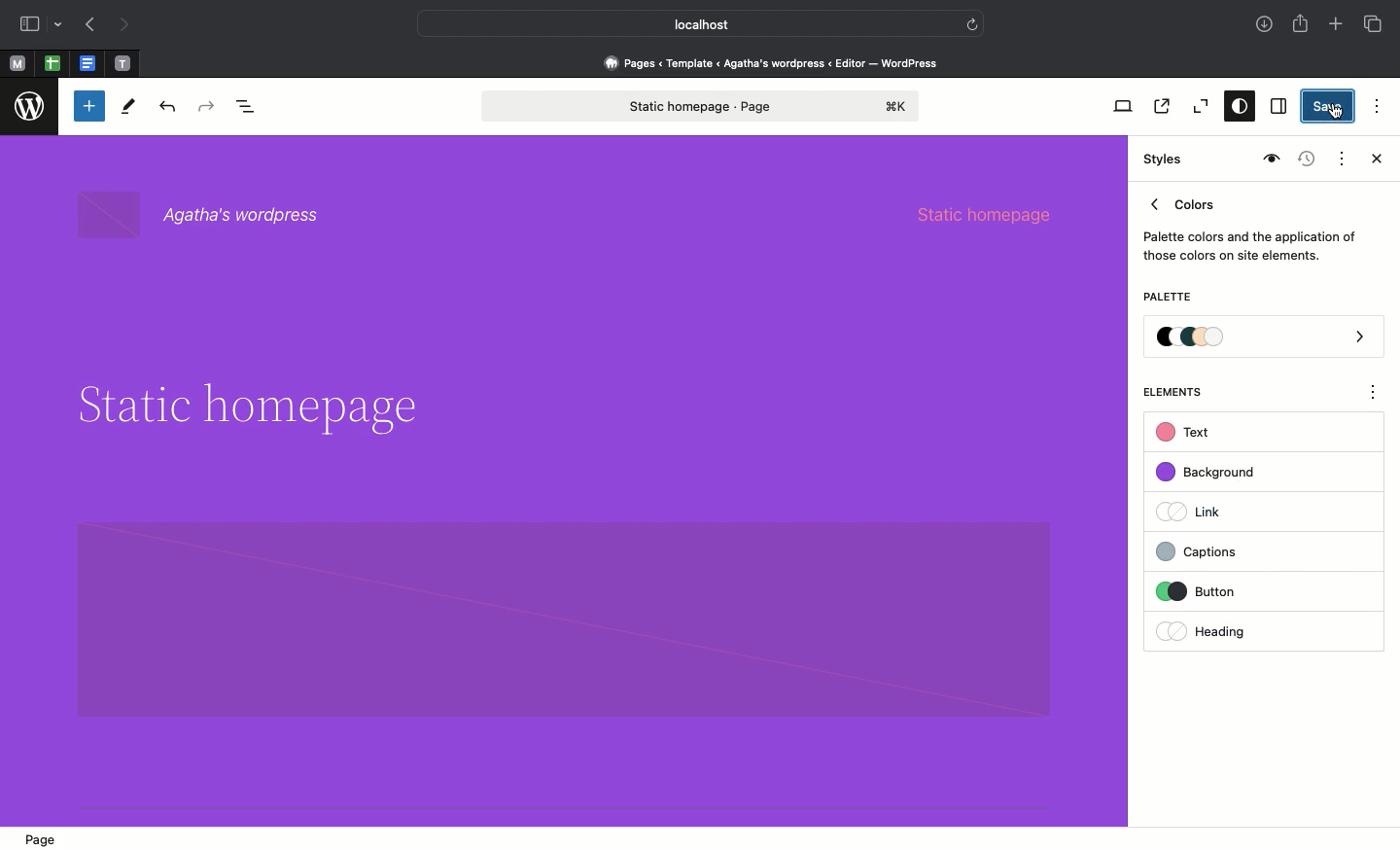 The image size is (1400, 850). Describe the element at coordinates (89, 106) in the screenshot. I see `Toggle blocker` at that location.